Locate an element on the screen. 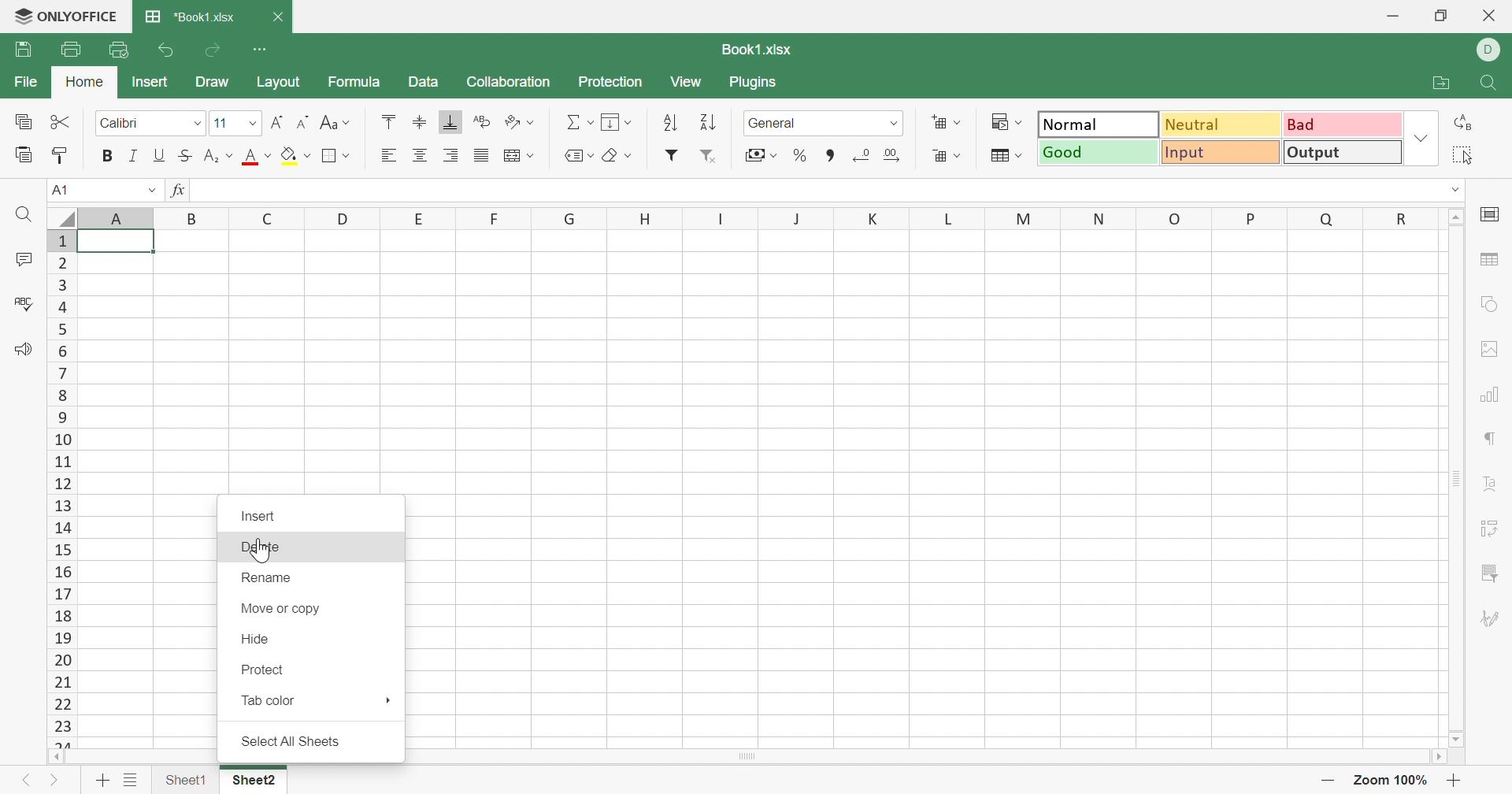 Image resolution: width=1512 pixels, height=794 pixels. Output is located at coordinates (1341, 153).